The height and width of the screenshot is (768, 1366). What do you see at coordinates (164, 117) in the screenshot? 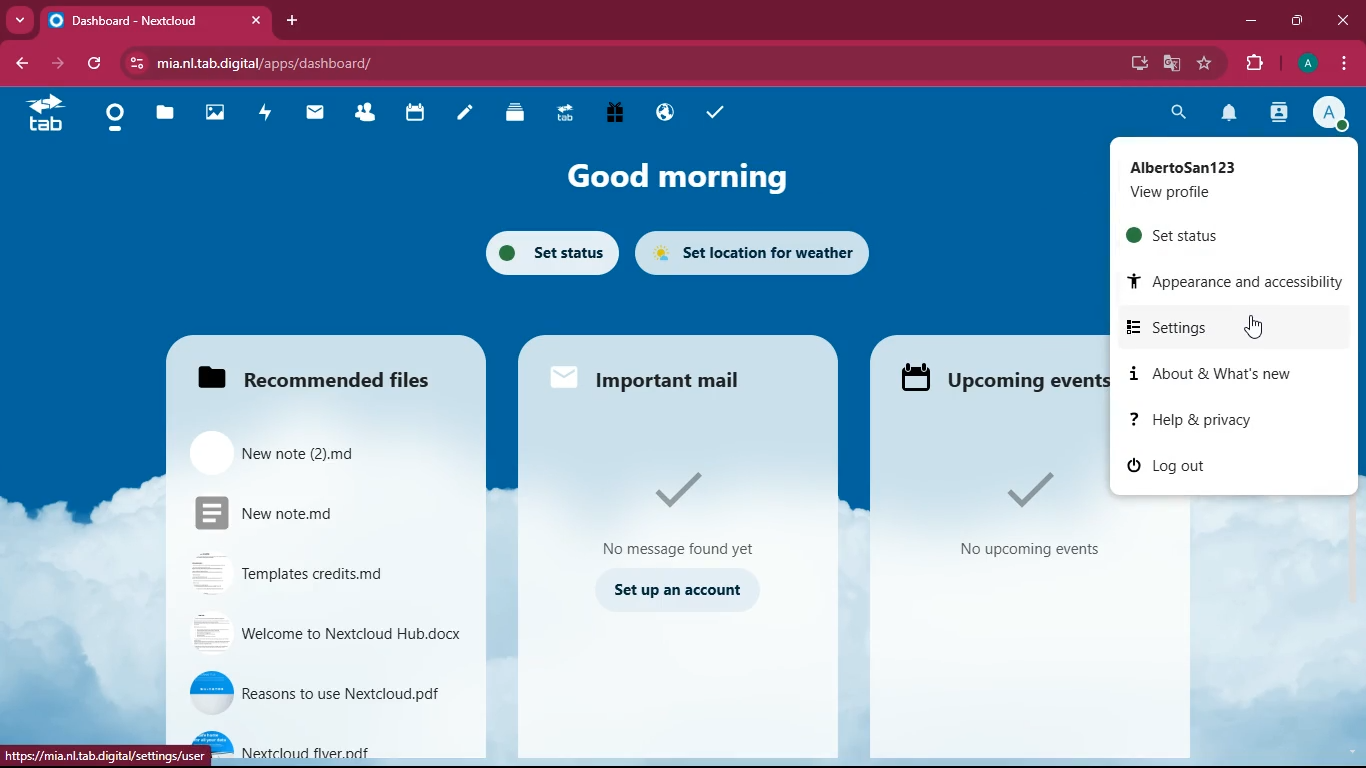
I see `files` at bounding box center [164, 117].